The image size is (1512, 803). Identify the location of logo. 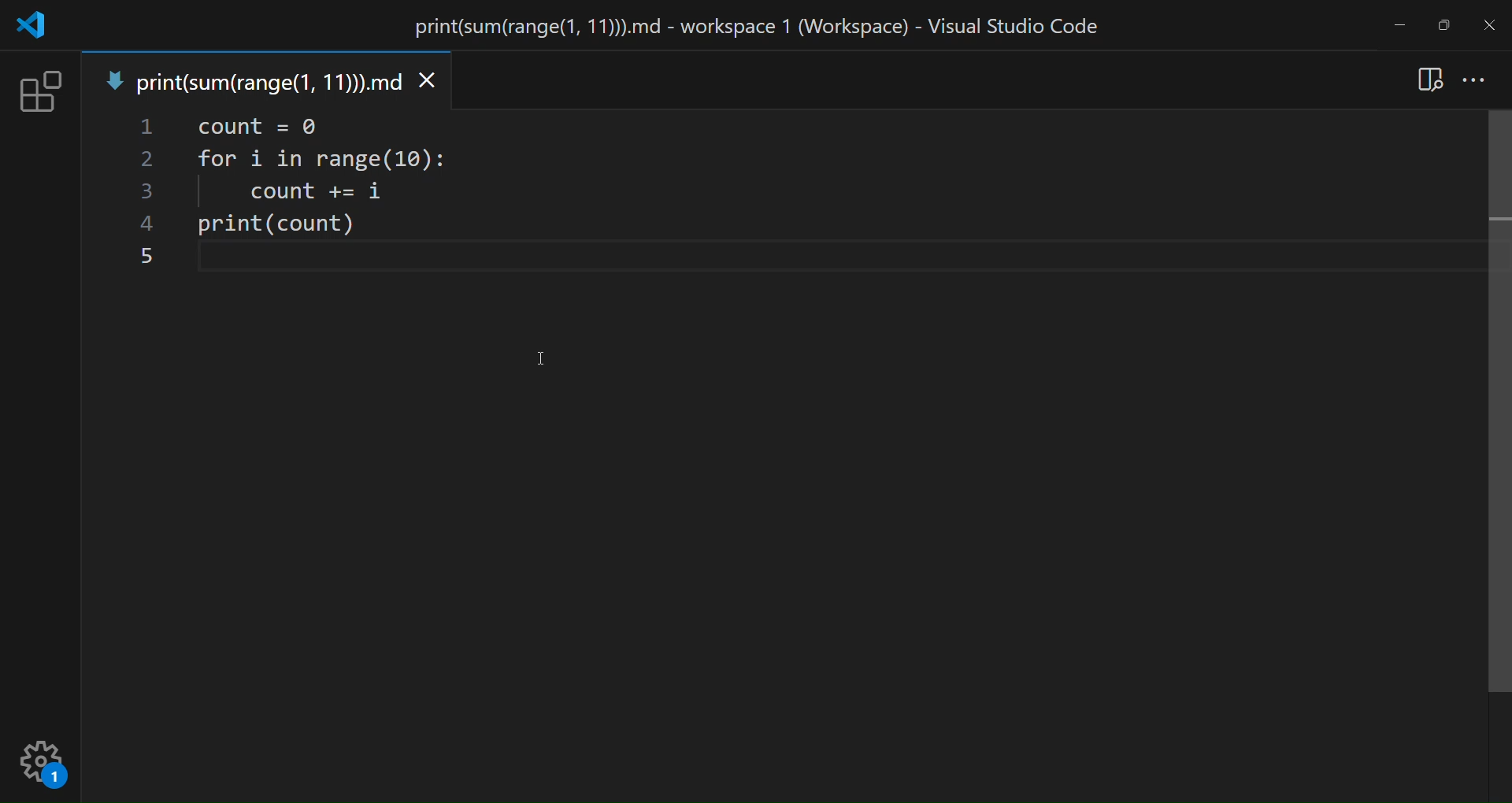
(28, 25).